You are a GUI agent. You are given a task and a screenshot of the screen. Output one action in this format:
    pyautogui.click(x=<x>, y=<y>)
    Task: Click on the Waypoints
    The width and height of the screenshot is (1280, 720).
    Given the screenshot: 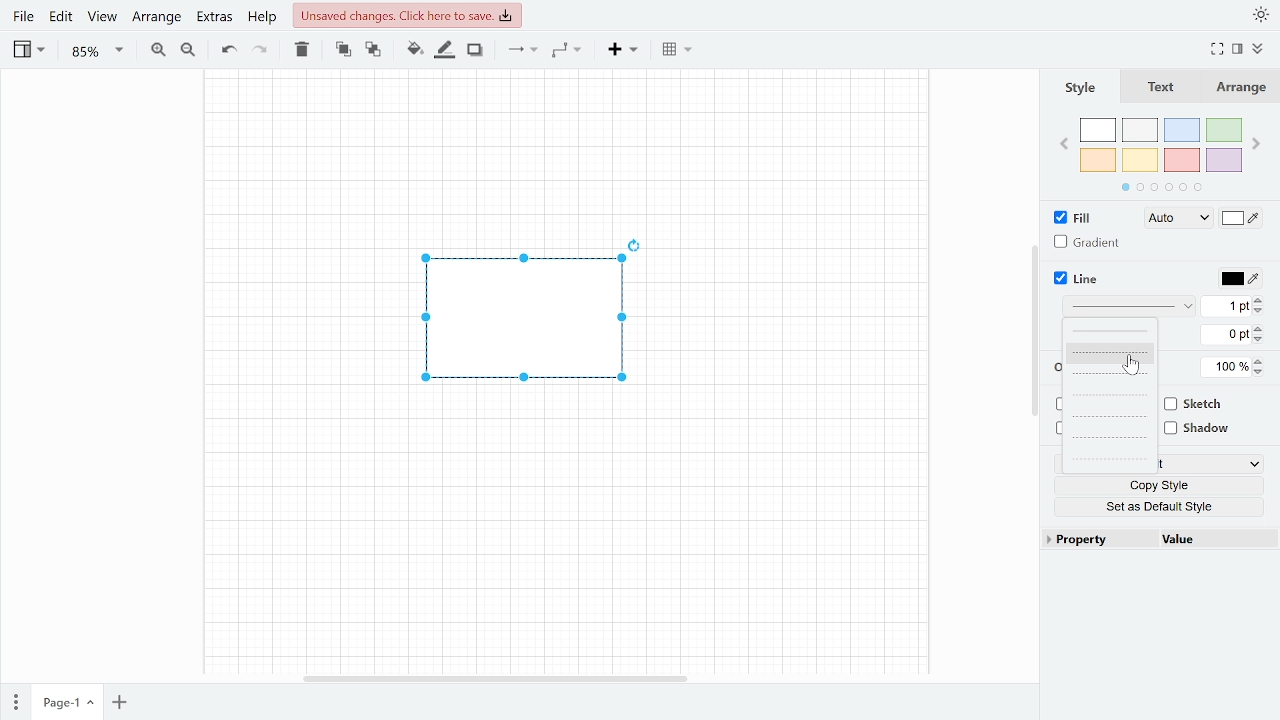 What is the action you would take?
    pyautogui.click(x=566, y=52)
    